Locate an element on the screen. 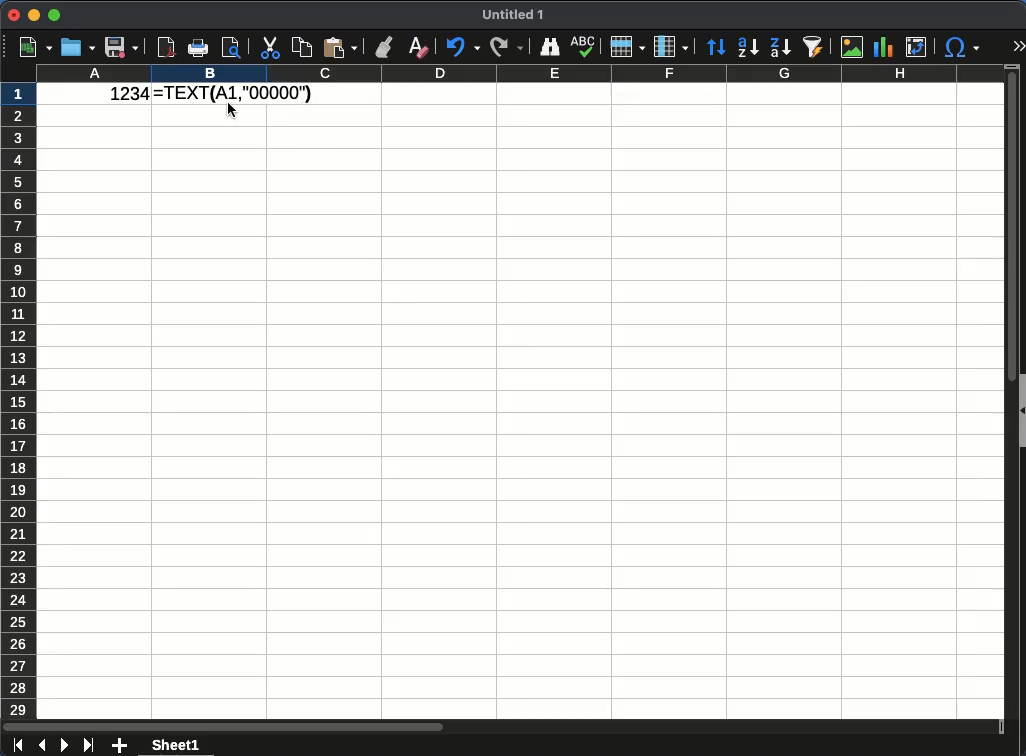 The image size is (1026, 756). clone formatting is located at coordinates (386, 49).